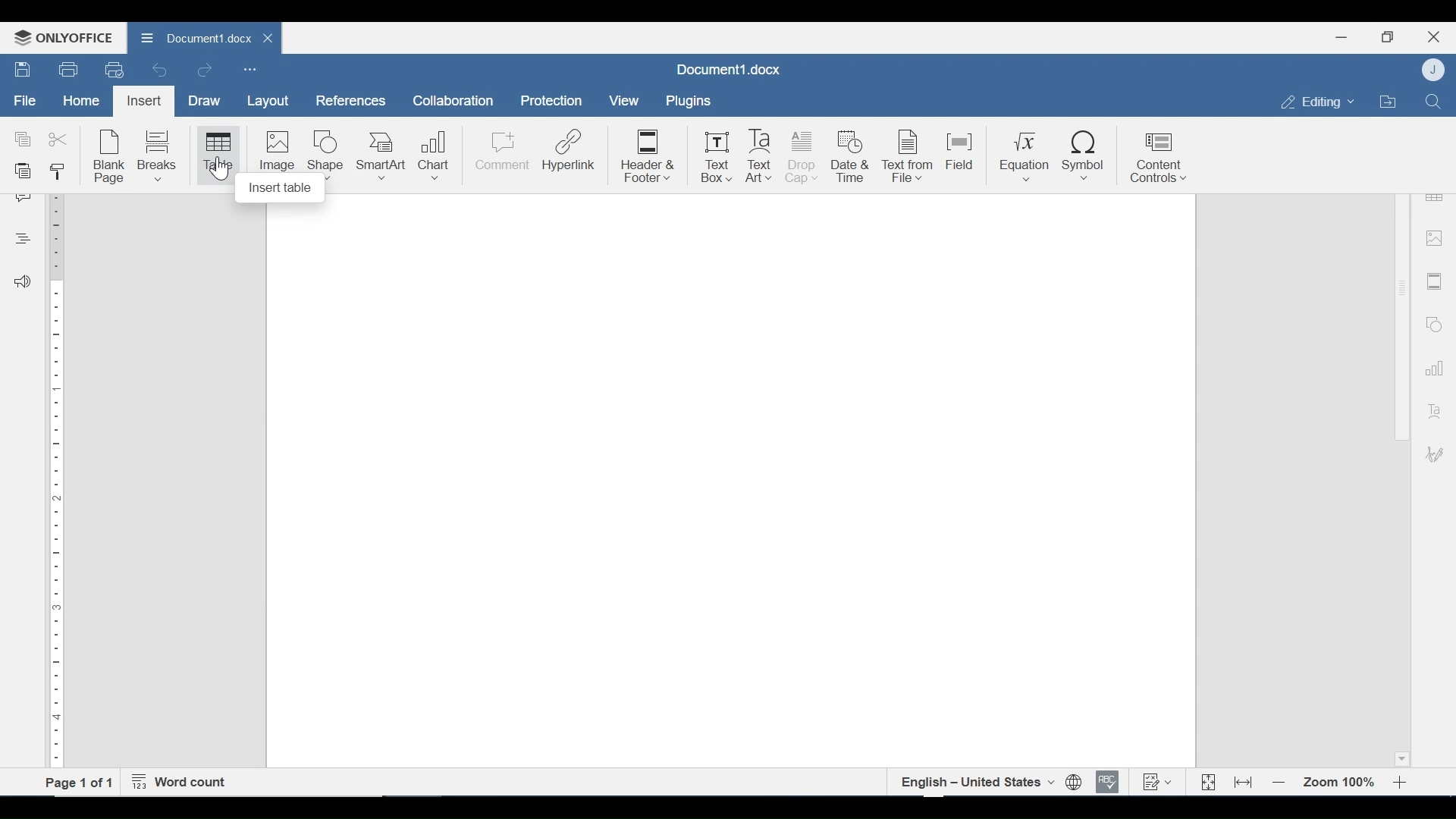 Image resolution: width=1456 pixels, height=819 pixels. What do you see at coordinates (717, 158) in the screenshot?
I see `Text Box` at bounding box center [717, 158].